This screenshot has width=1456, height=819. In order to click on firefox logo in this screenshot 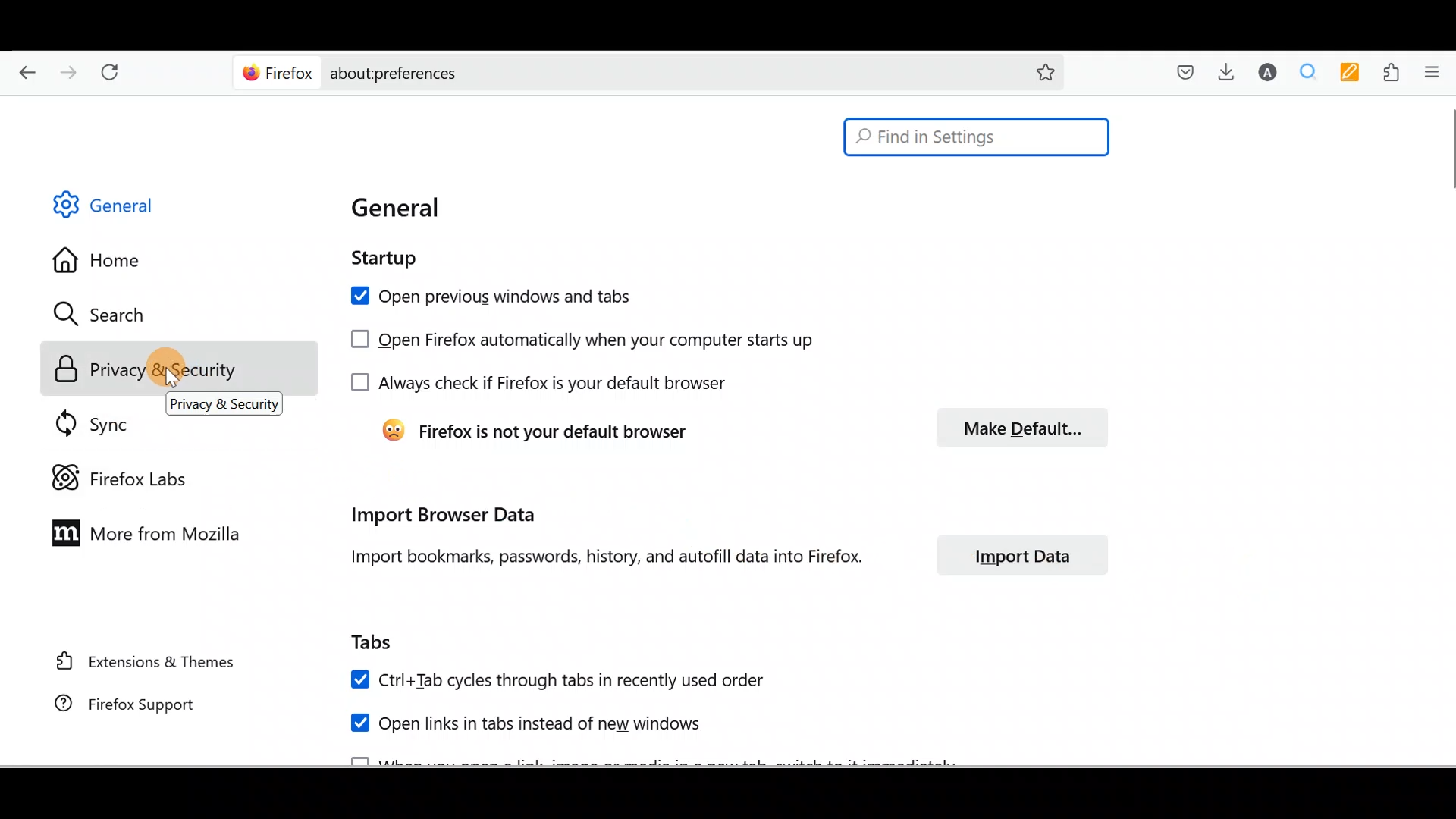, I will do `click(278, 74)`.